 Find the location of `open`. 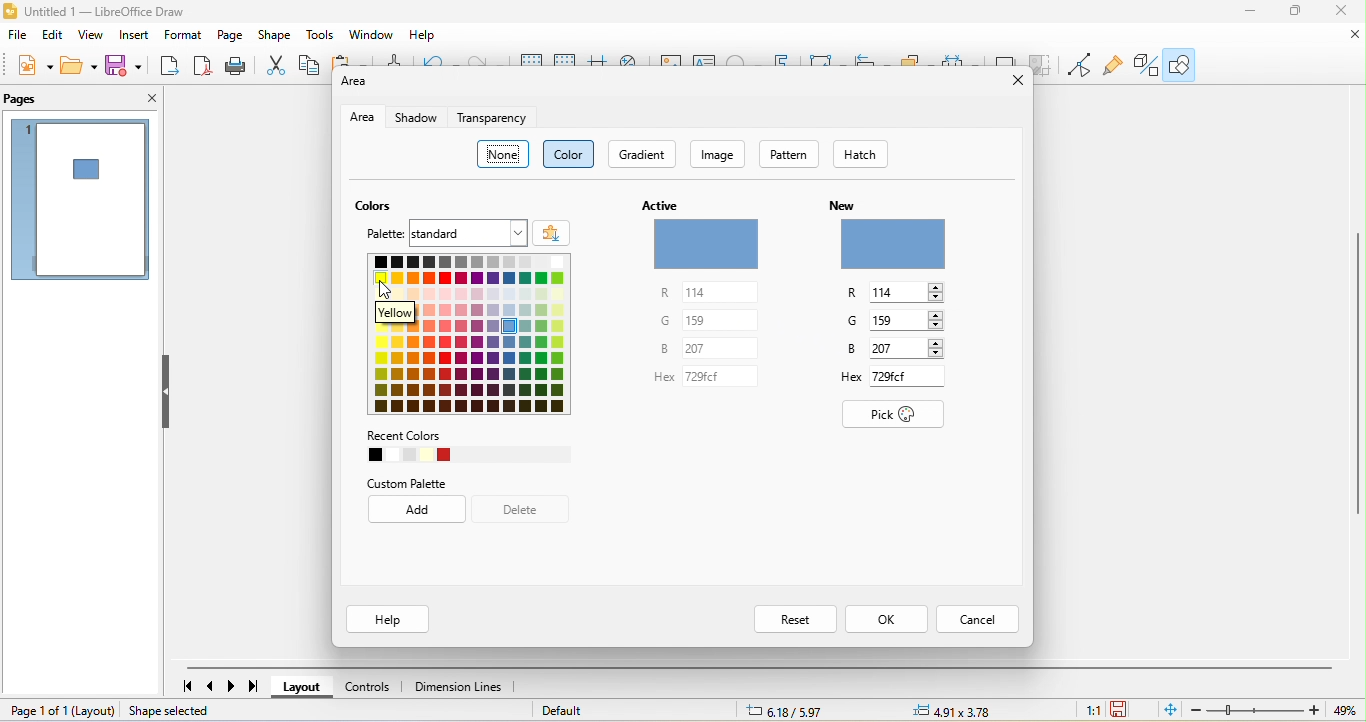

open is located at coordinates (82, 64).